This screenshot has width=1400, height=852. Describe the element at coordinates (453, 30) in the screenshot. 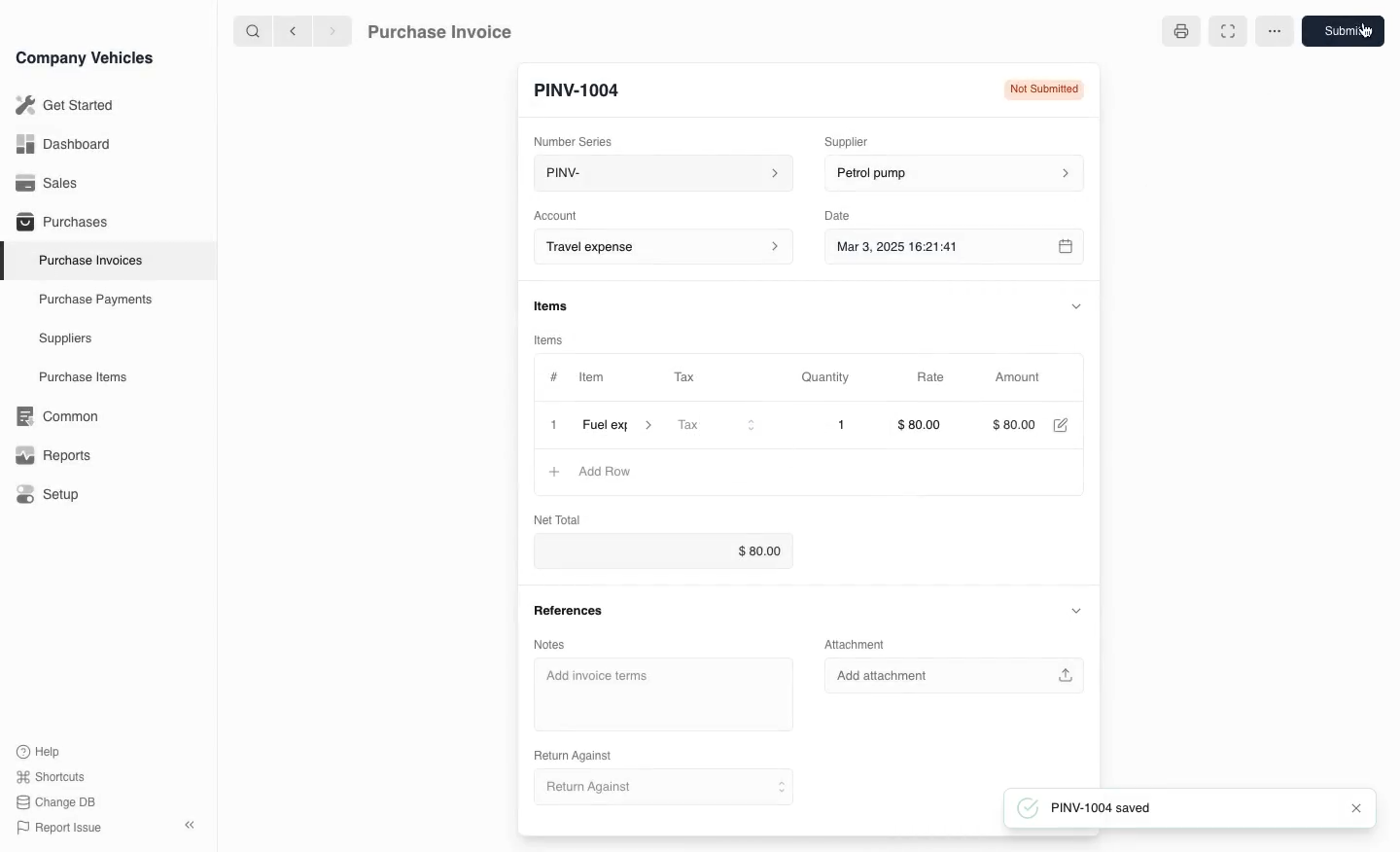

I see `Purchase Invoice` at that location.